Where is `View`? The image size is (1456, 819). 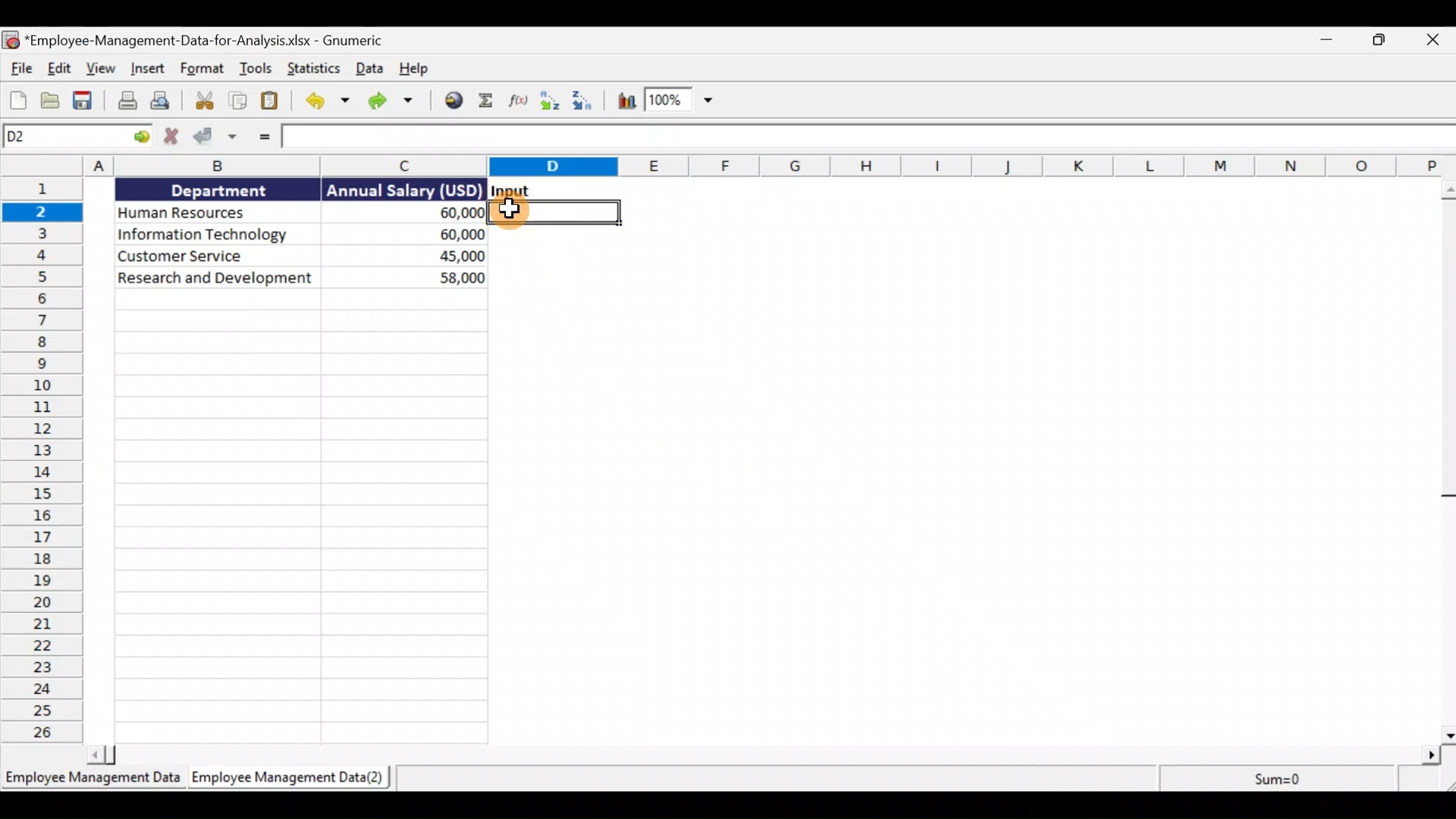 View is located at coordinates (103, 67).